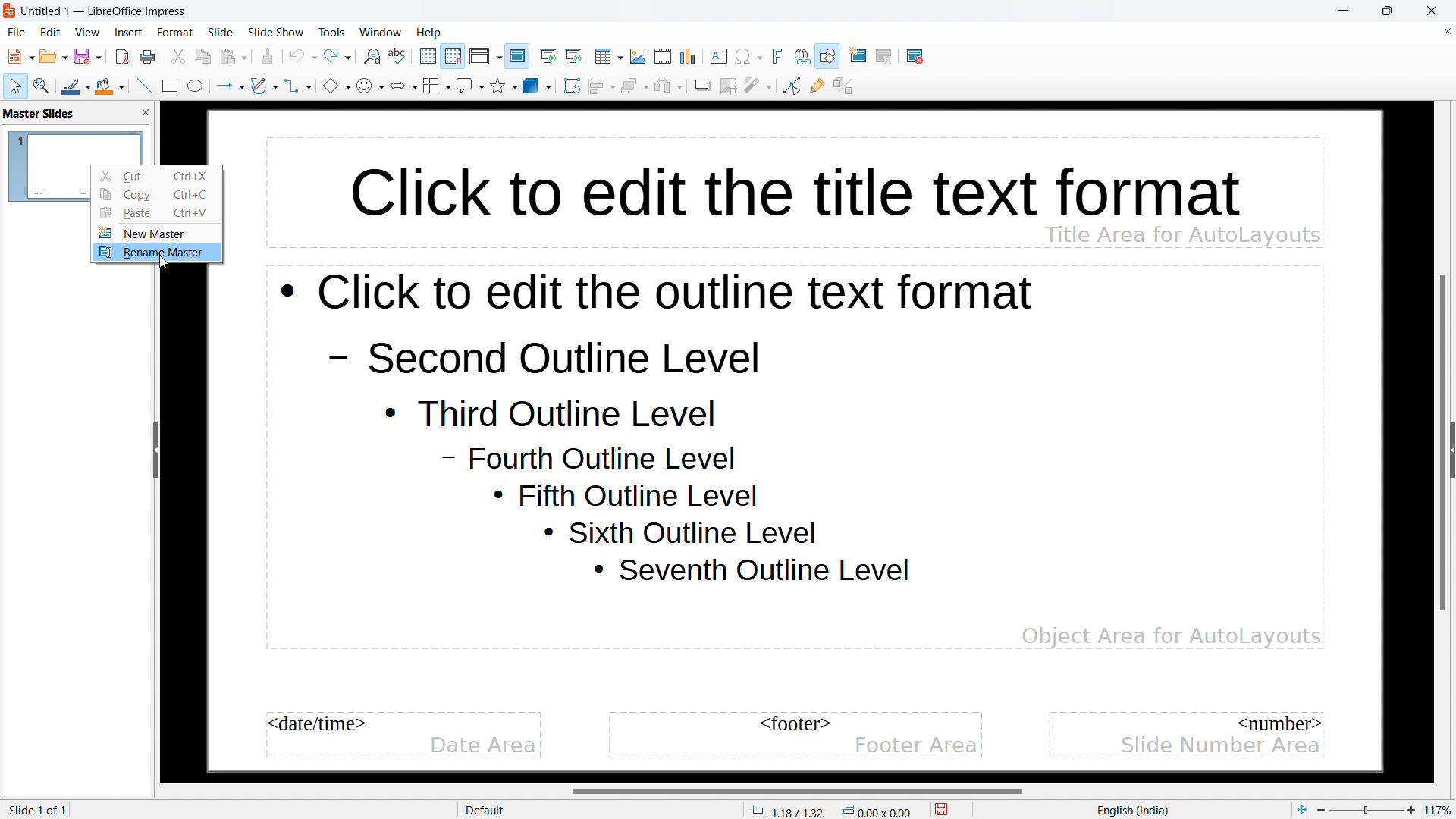 The height and width of the screenshot is (819, 1456). What do you see at coordinates (631, 496) in the screenshot?
I see `Fifth outline level` at bounding box center [631, 496].